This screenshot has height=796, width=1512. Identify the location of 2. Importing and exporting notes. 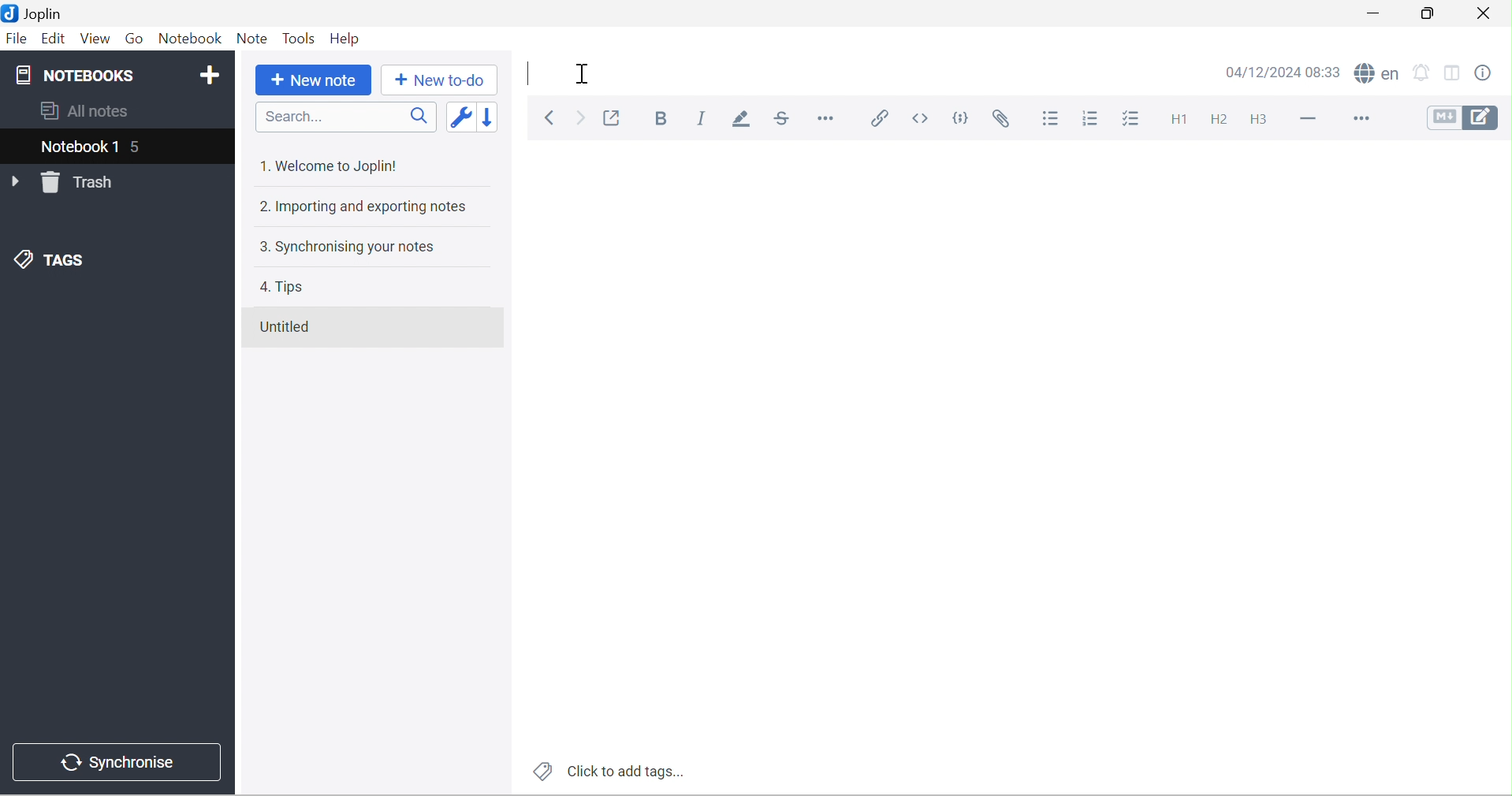
(367, 208).